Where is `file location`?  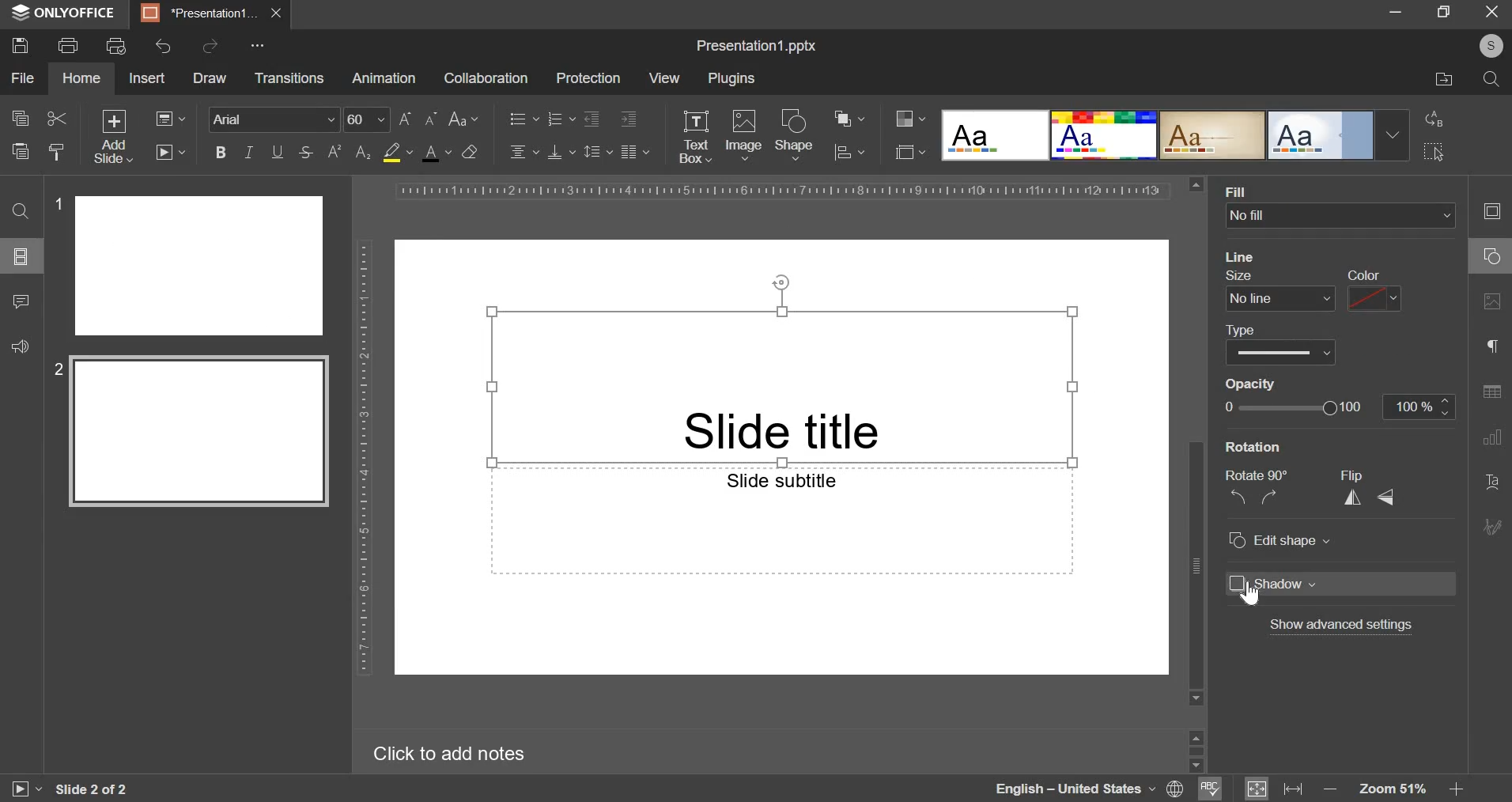 file location is located at coordinates (1445, 80).